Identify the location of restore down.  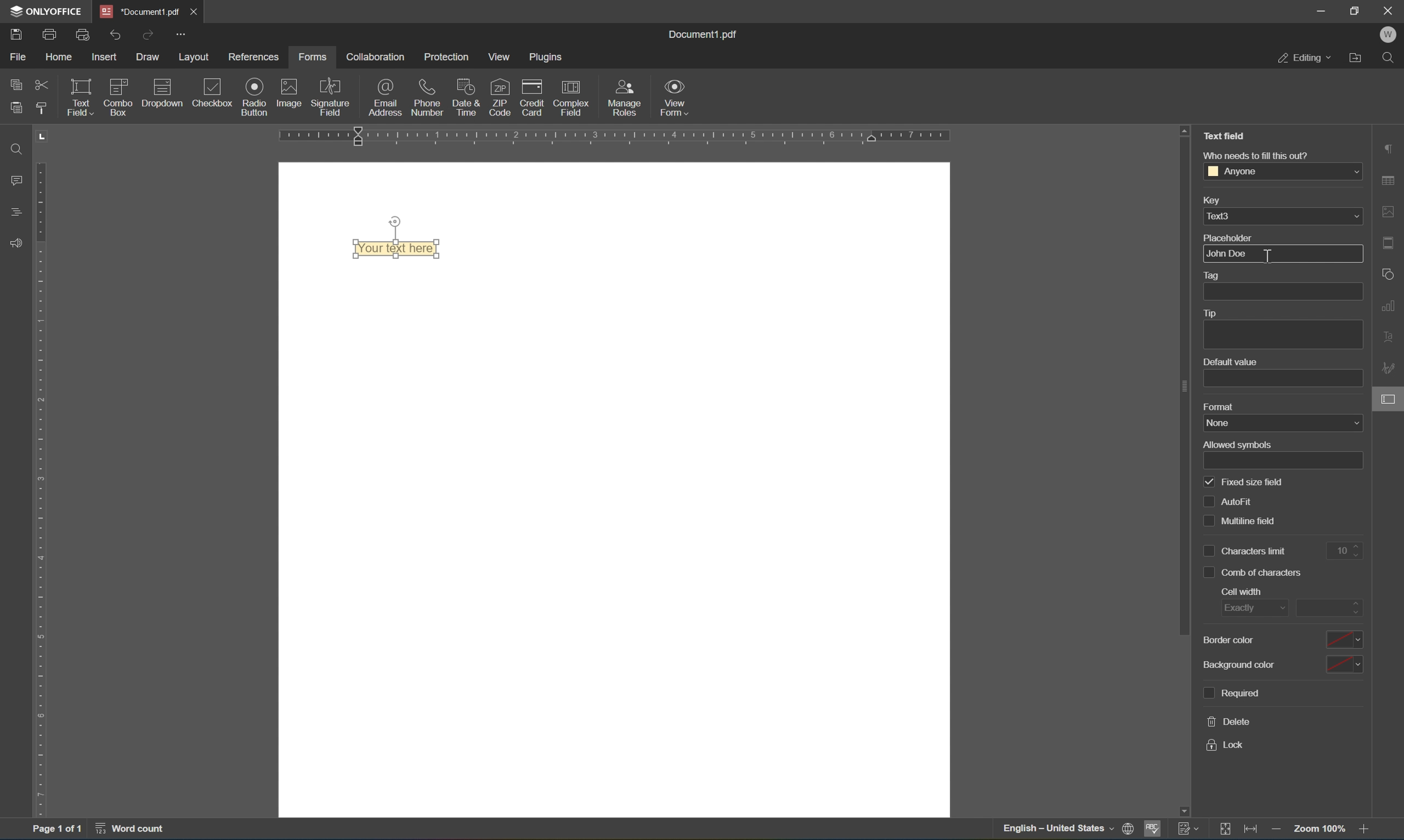
(1356, 10).